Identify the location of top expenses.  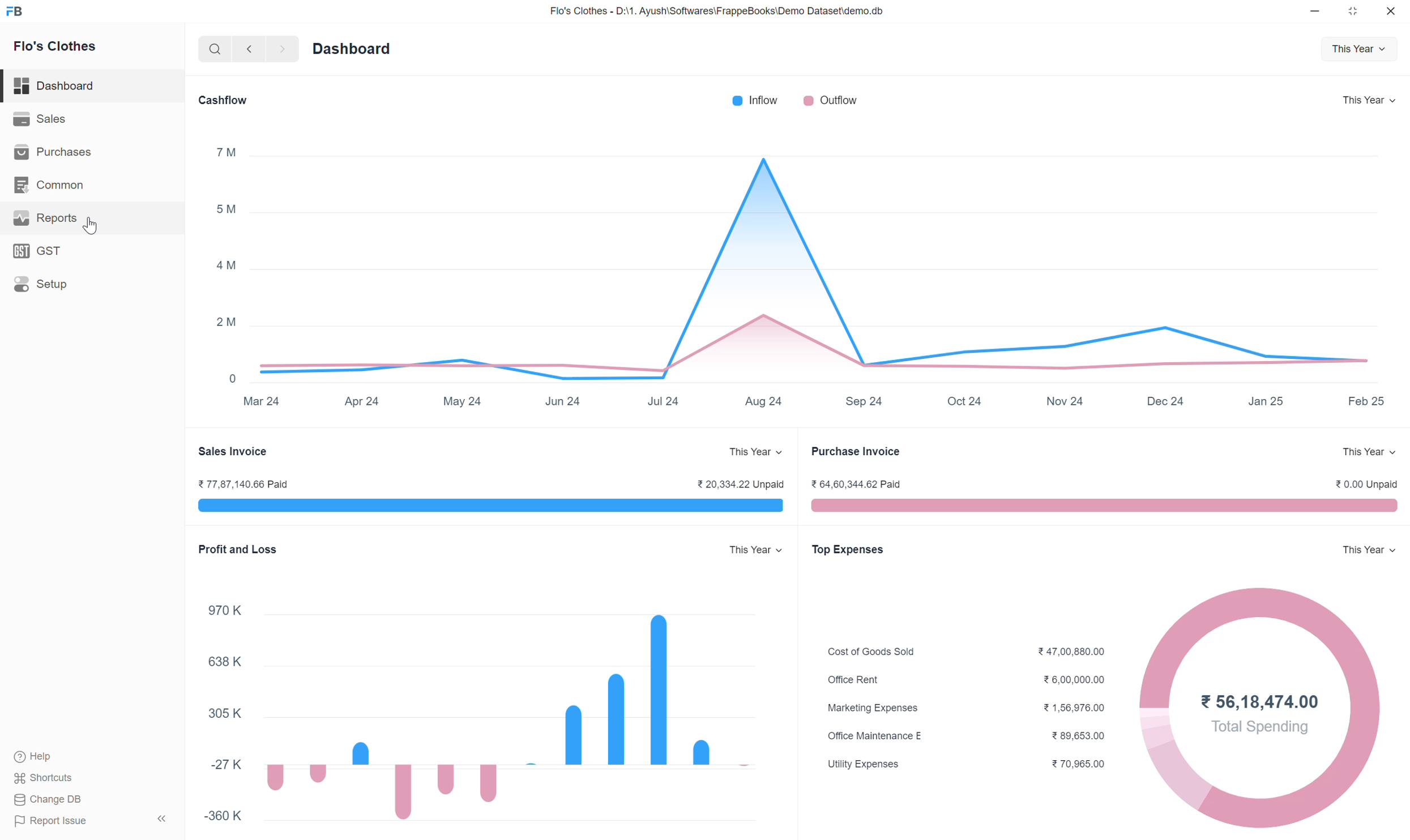
(847, 550).